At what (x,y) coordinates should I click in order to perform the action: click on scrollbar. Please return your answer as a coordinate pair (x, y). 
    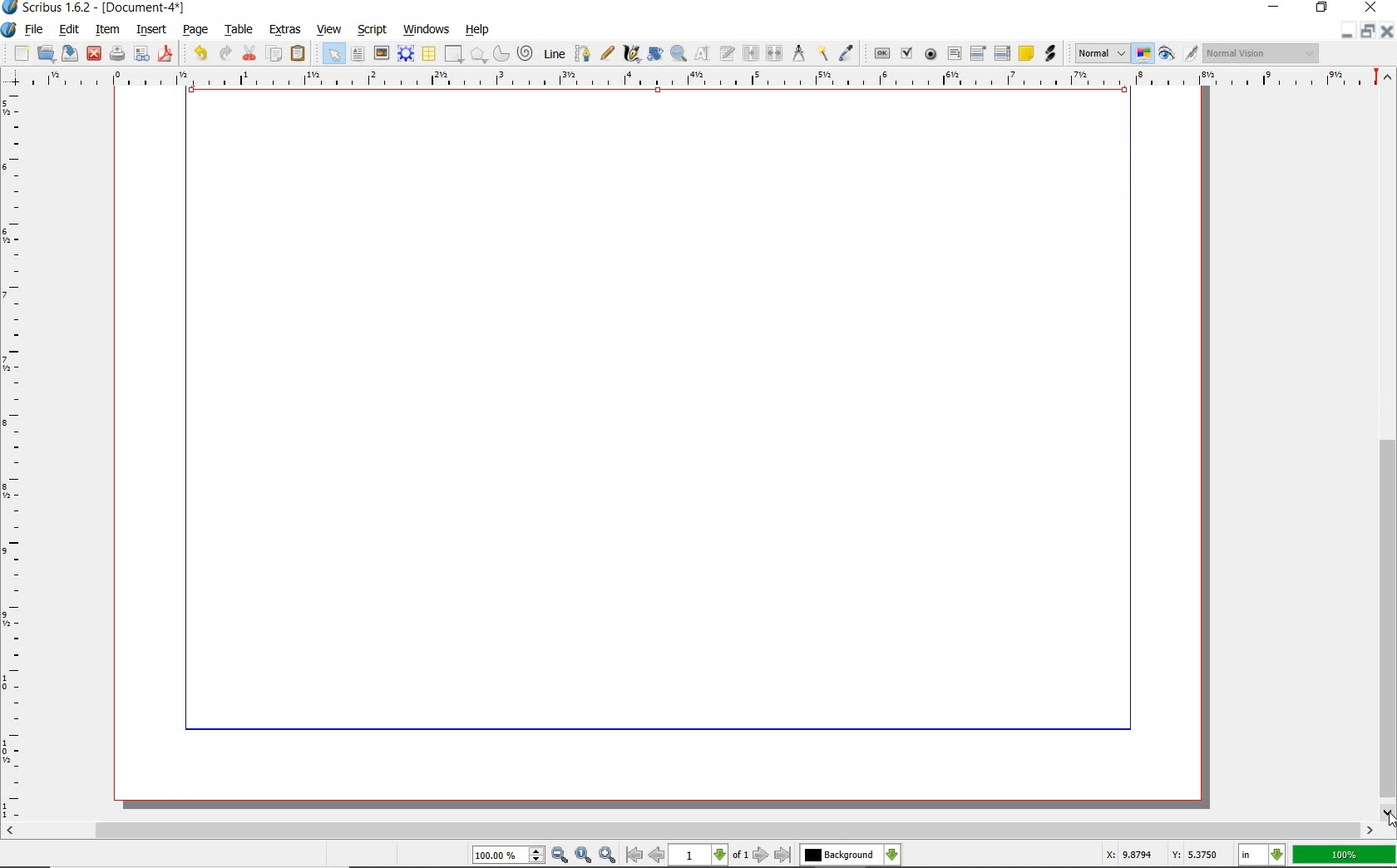
    Looking at the image, I should click on (1387, 445).